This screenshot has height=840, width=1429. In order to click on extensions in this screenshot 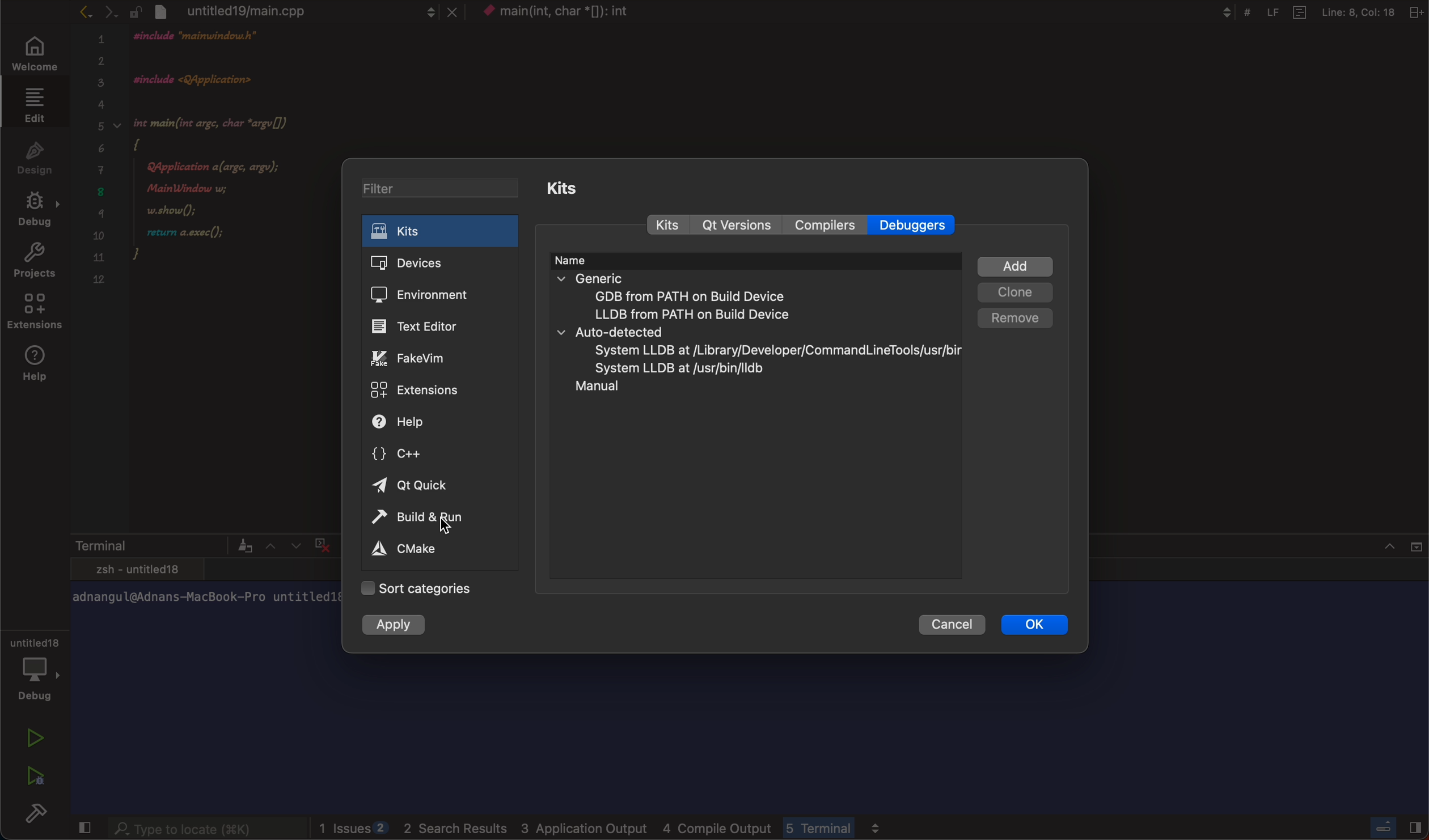, I will do `click(33, 310)`.